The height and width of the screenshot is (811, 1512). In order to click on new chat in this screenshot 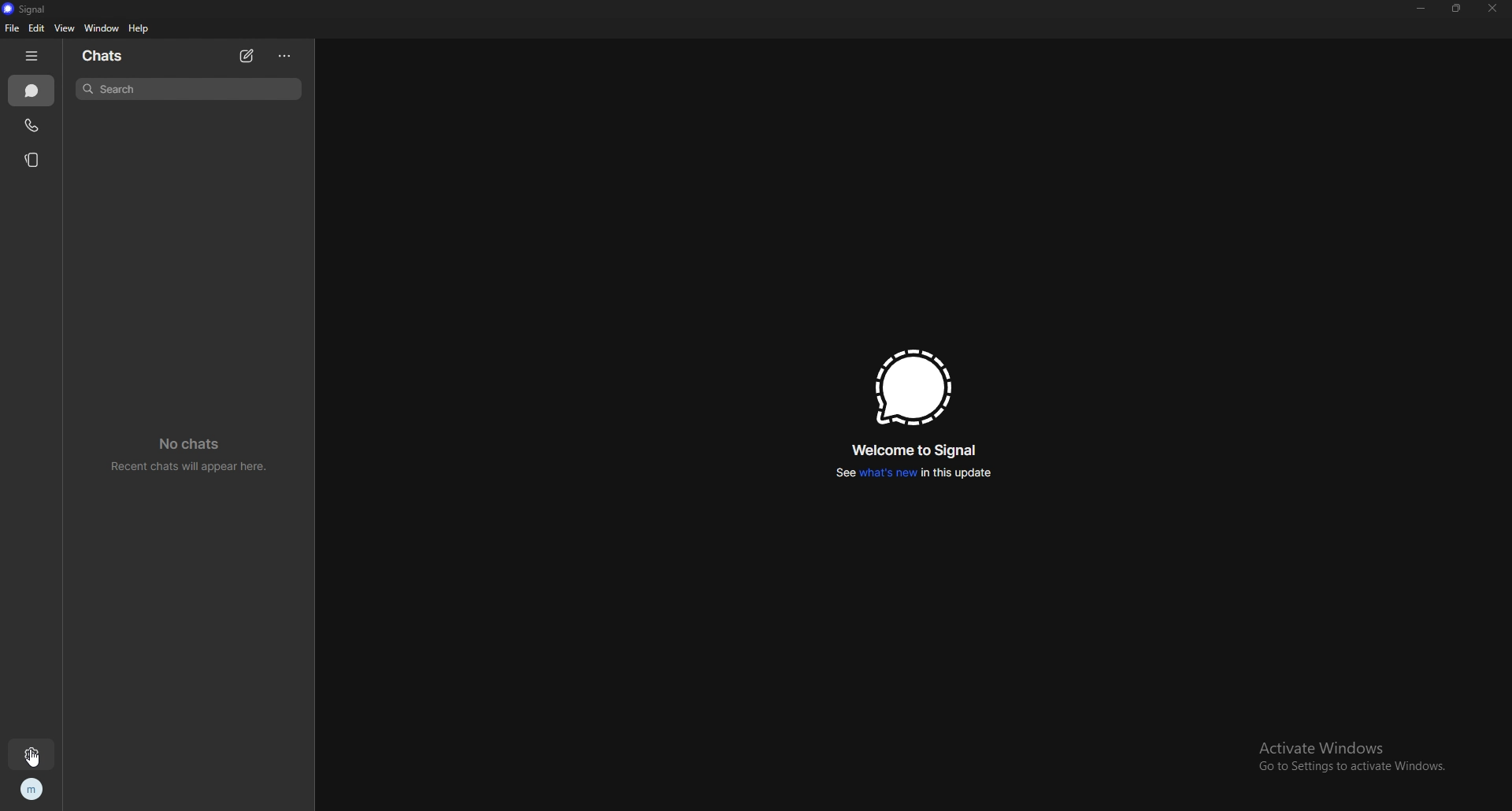, I will do `click(249, 56)`.